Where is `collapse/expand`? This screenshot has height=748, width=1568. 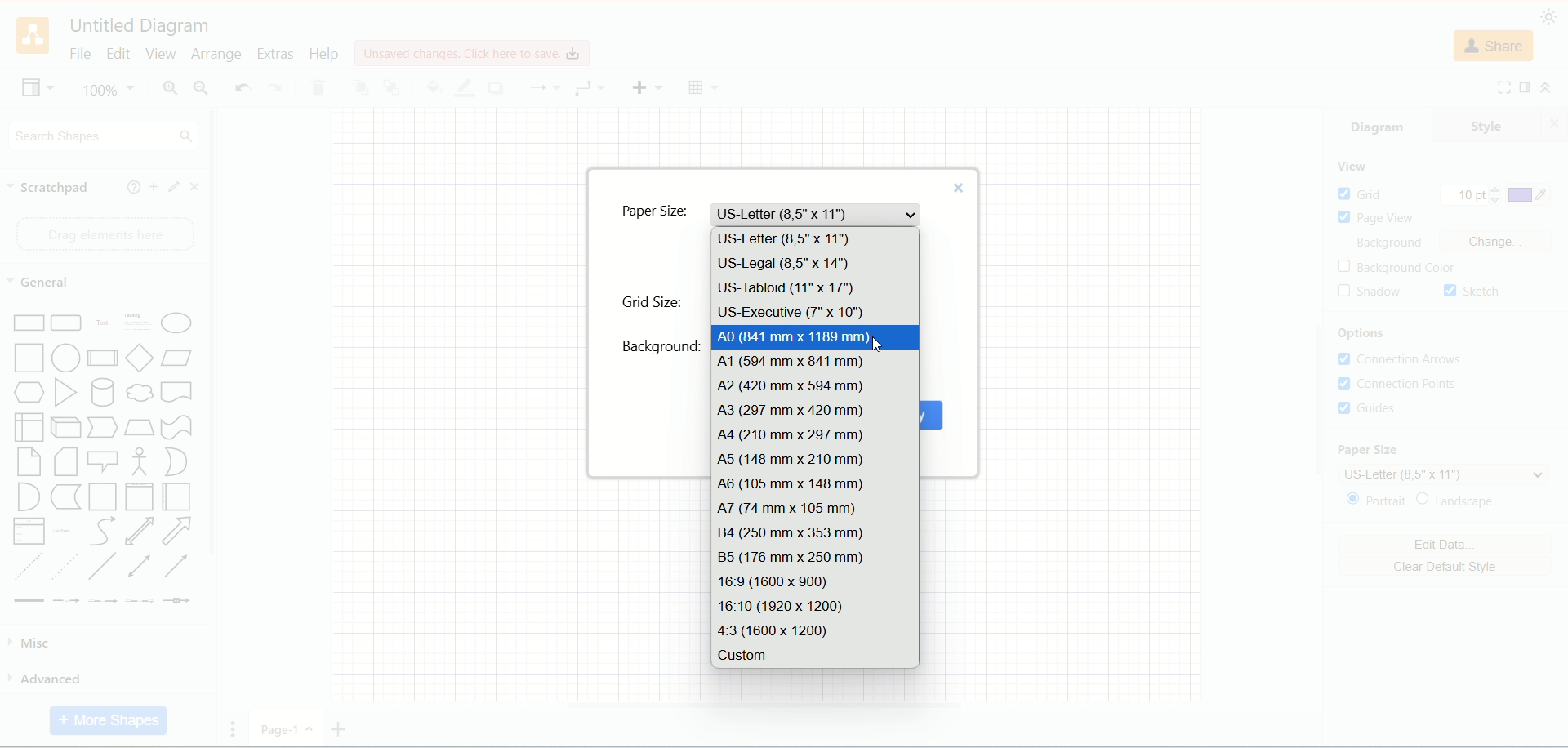
collapse/expand is located at coordinates (1552, 89).